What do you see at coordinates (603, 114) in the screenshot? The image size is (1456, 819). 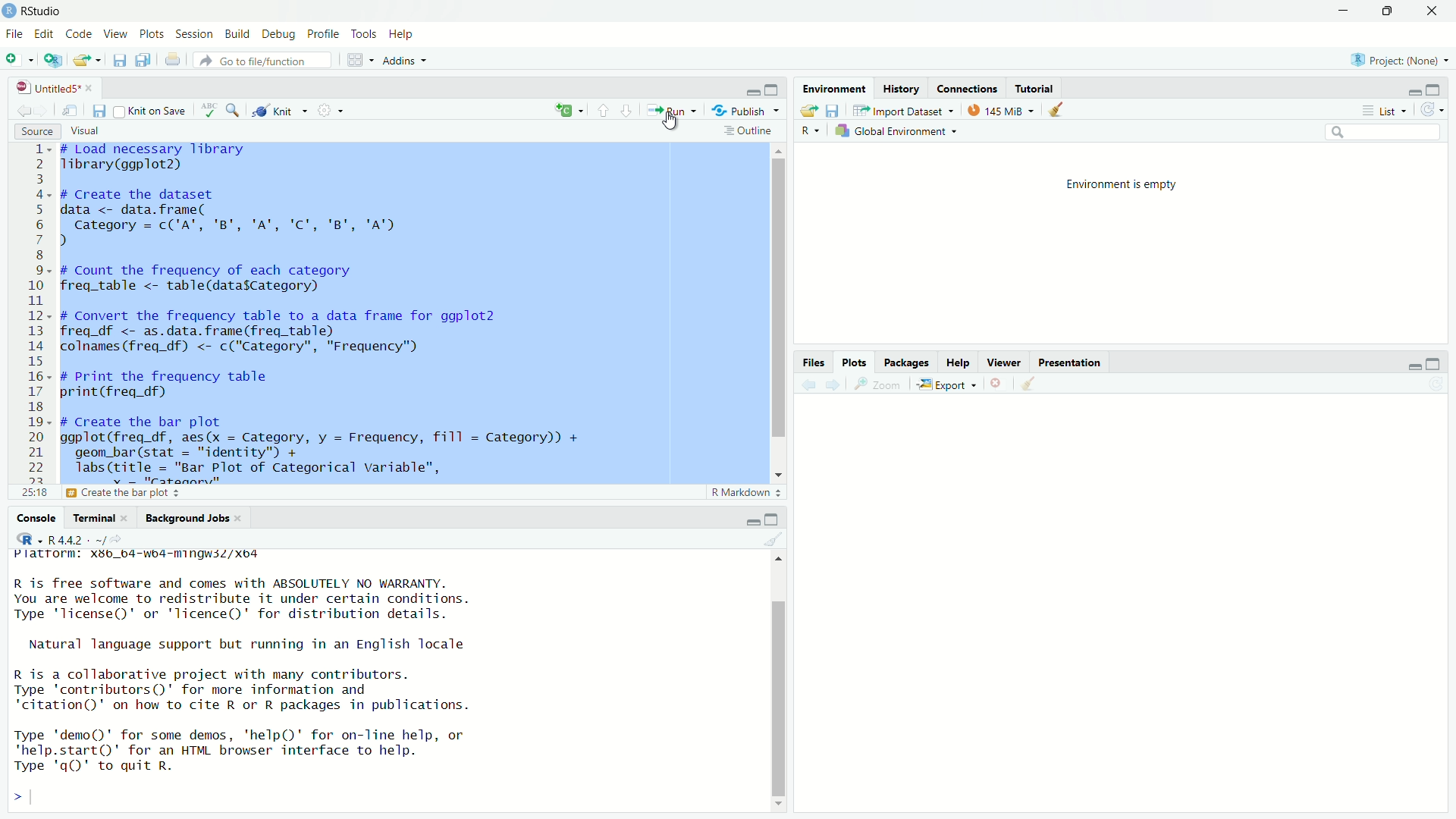 I see `previous section` at bounding box center [603, 114].